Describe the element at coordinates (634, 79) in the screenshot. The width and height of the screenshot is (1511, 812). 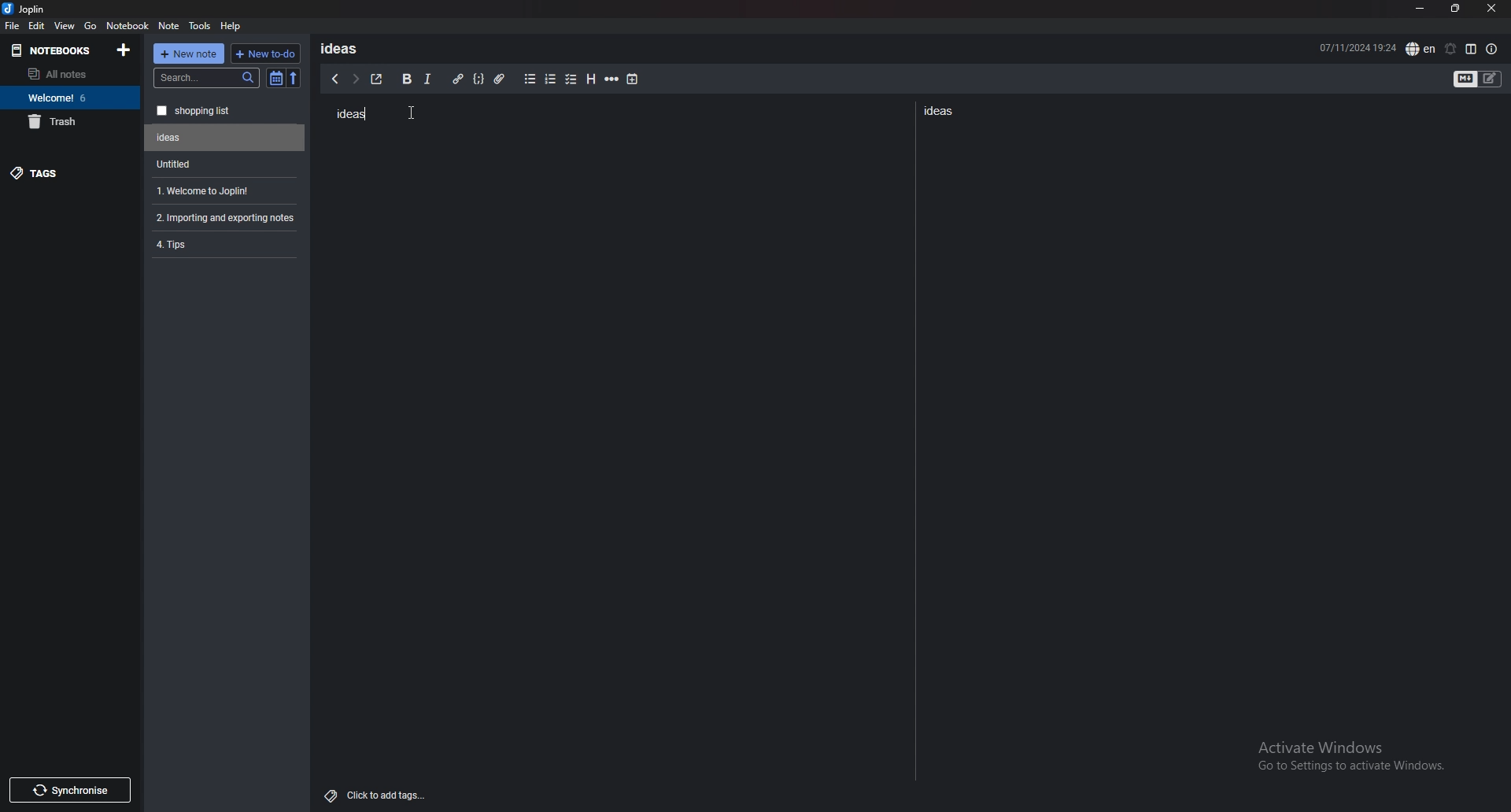
I see `add time` at that location.